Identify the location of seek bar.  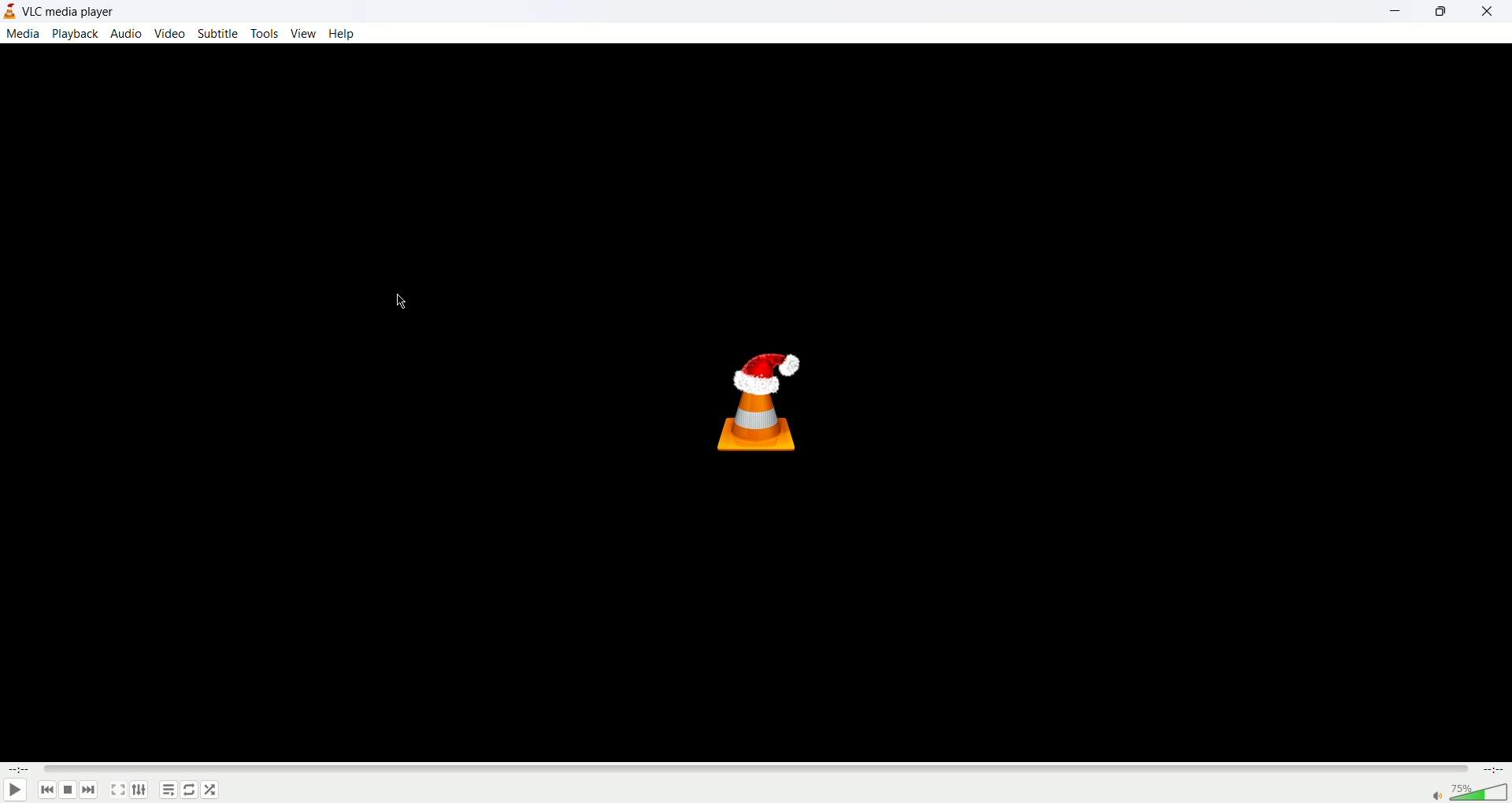
(756, 768).